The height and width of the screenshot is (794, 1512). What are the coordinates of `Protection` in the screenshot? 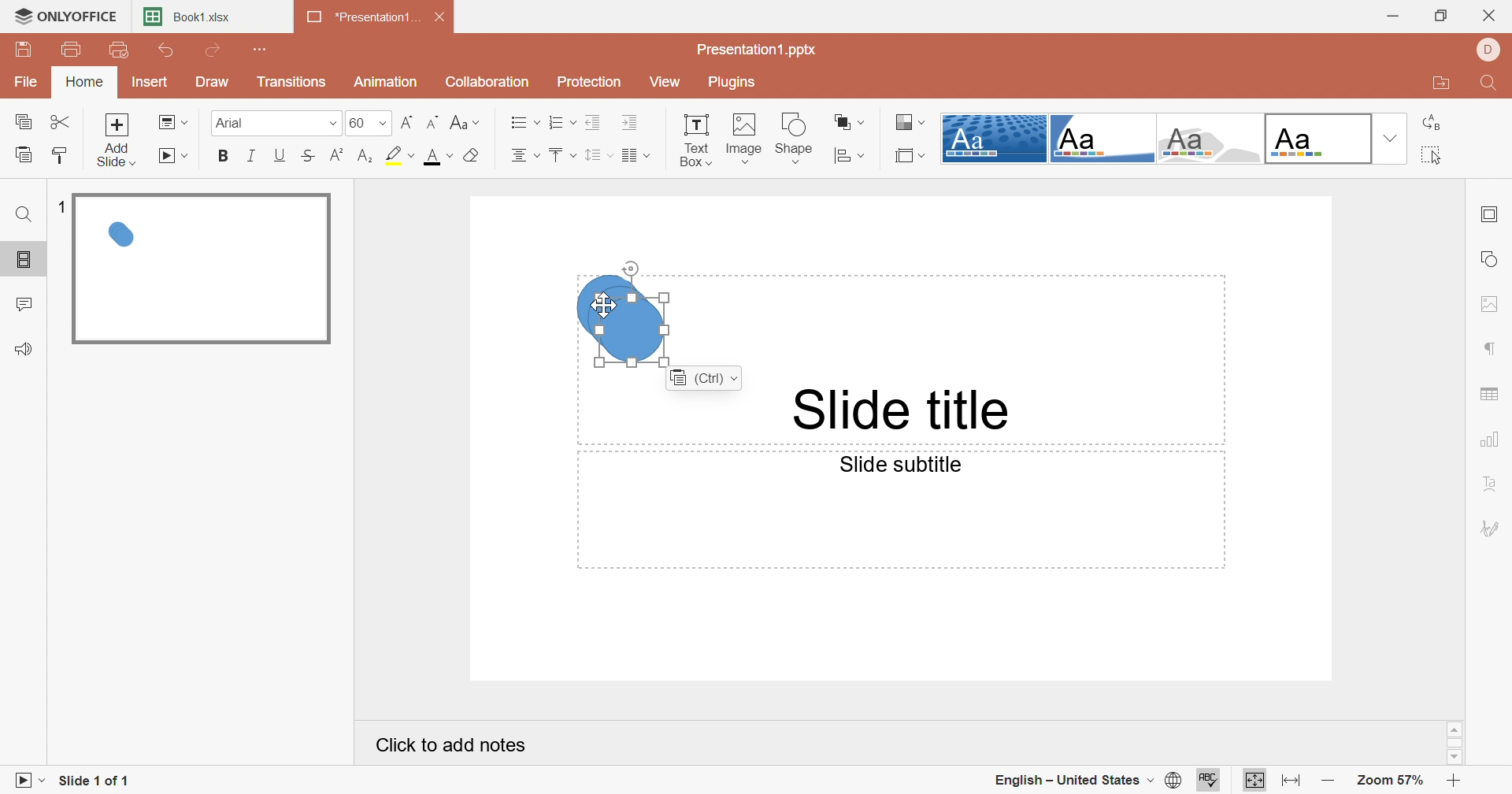 It's located at (593, 82).